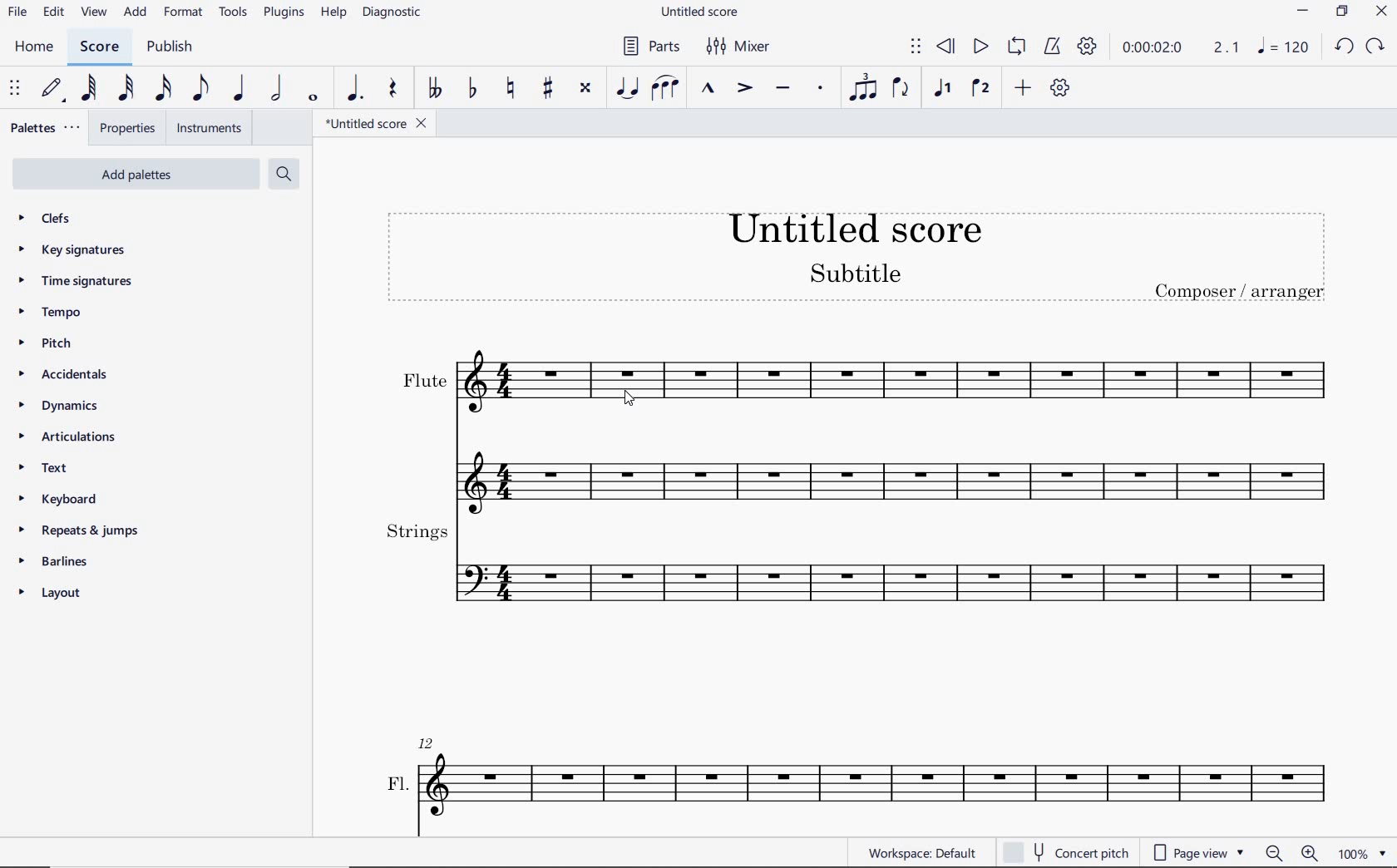  I want to click on QUARTER NOTE, so click(240, 89).